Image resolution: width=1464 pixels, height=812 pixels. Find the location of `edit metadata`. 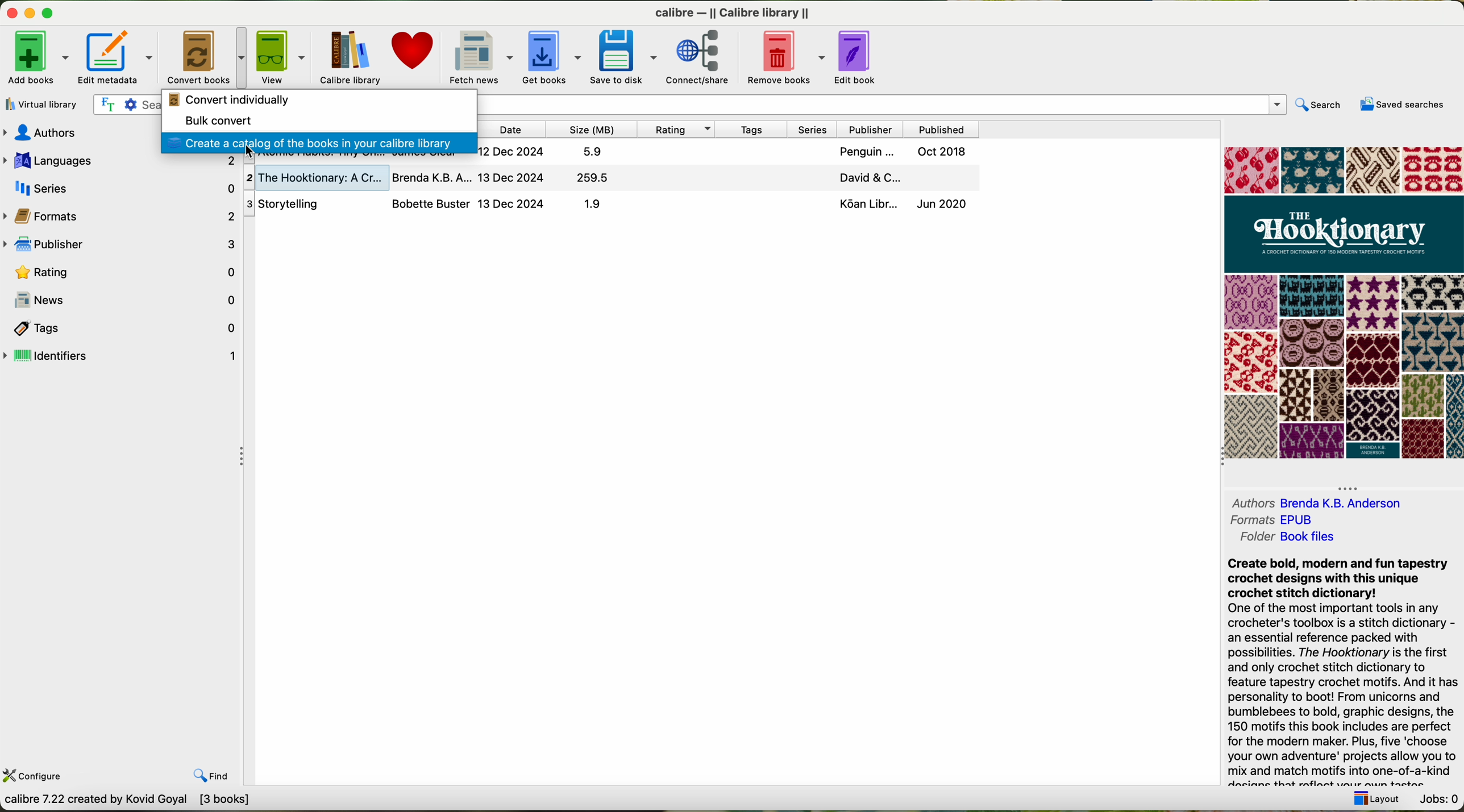

edit metadata is located at coordinates (116, 58).